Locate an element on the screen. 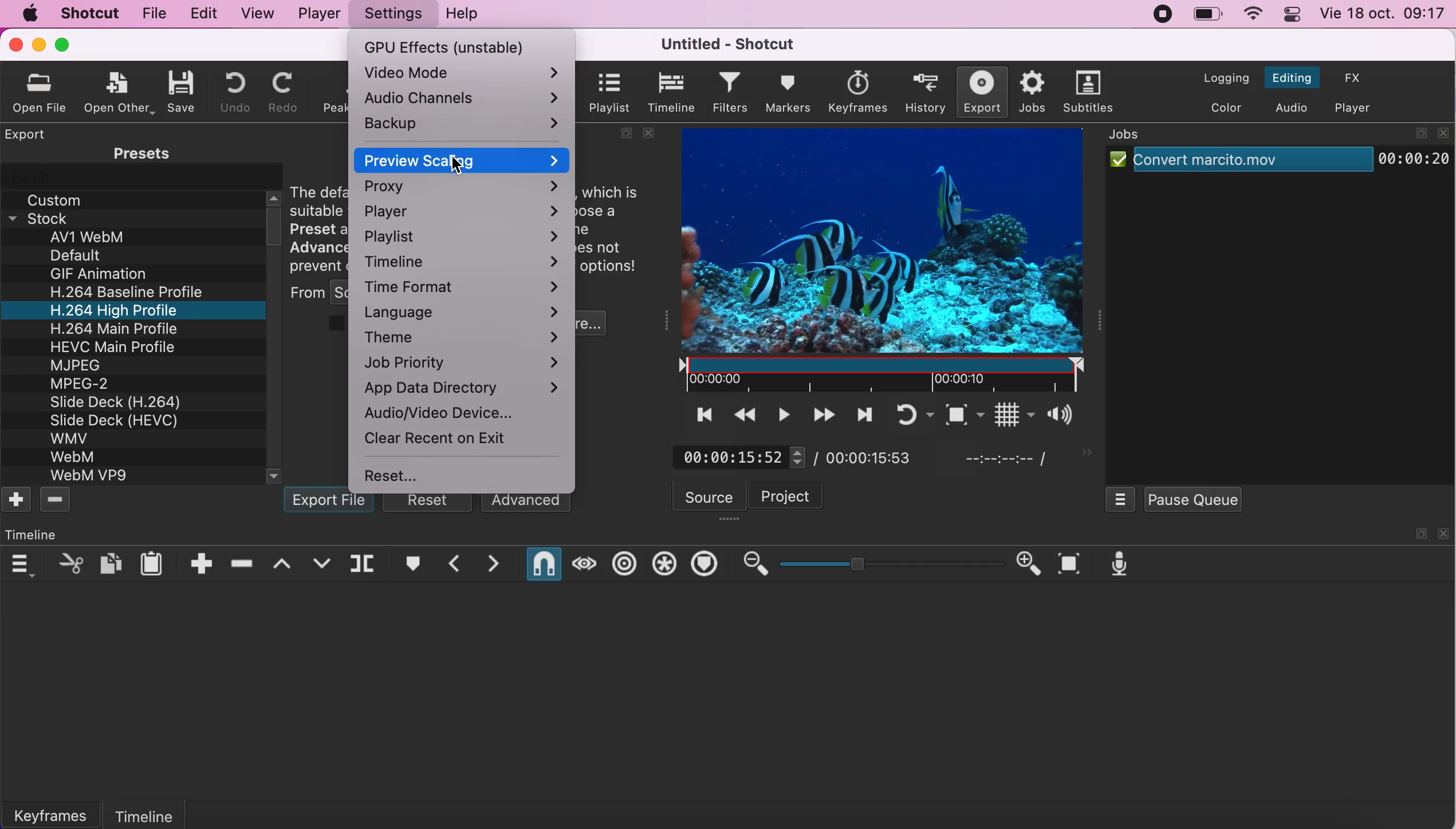 This screenshot has width=1456, height=829. zoom in is located at coordinates (1030, 564).